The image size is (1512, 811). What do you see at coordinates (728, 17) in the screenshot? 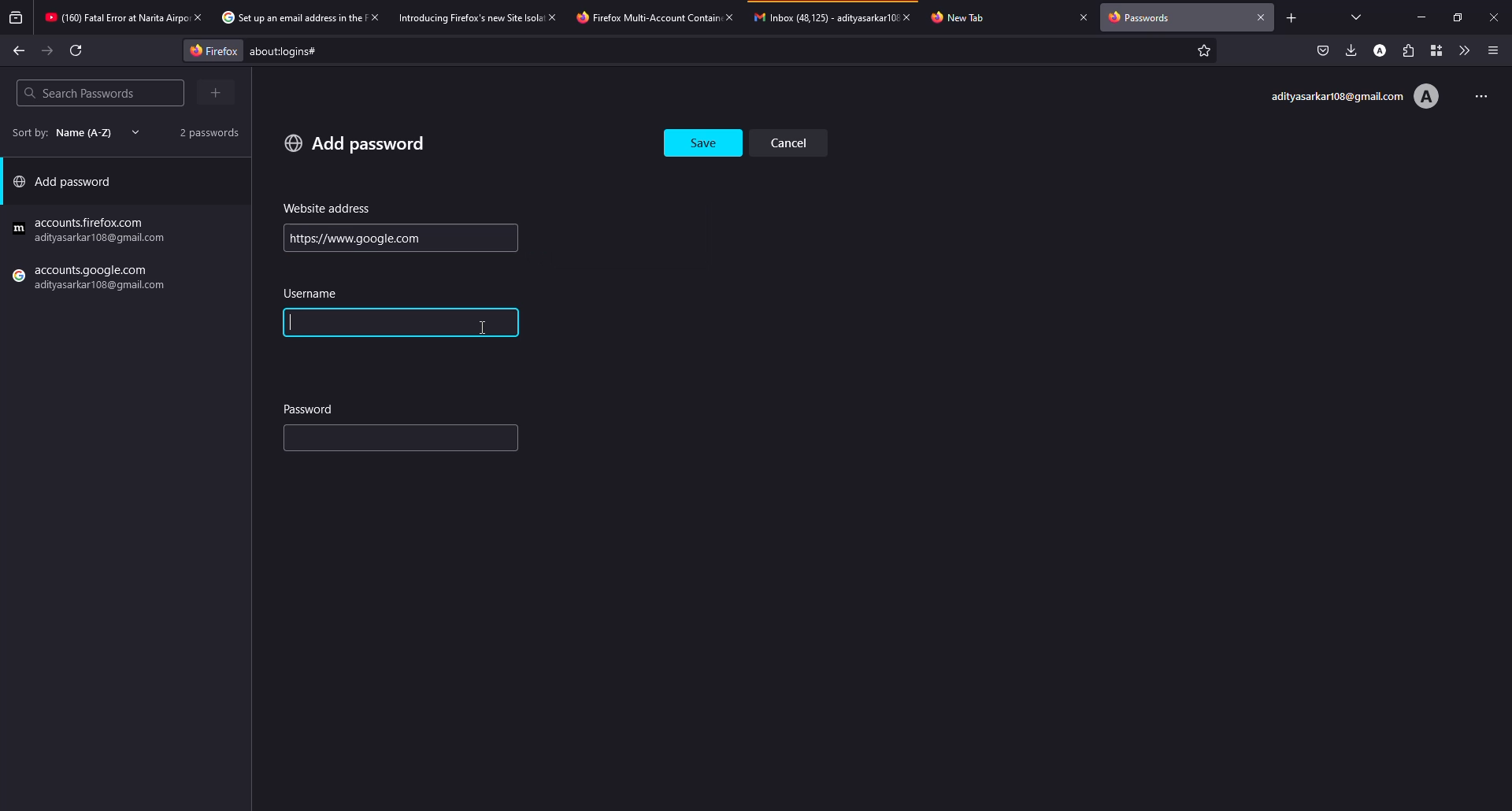
I see `close` at bounding box center [728, 17].